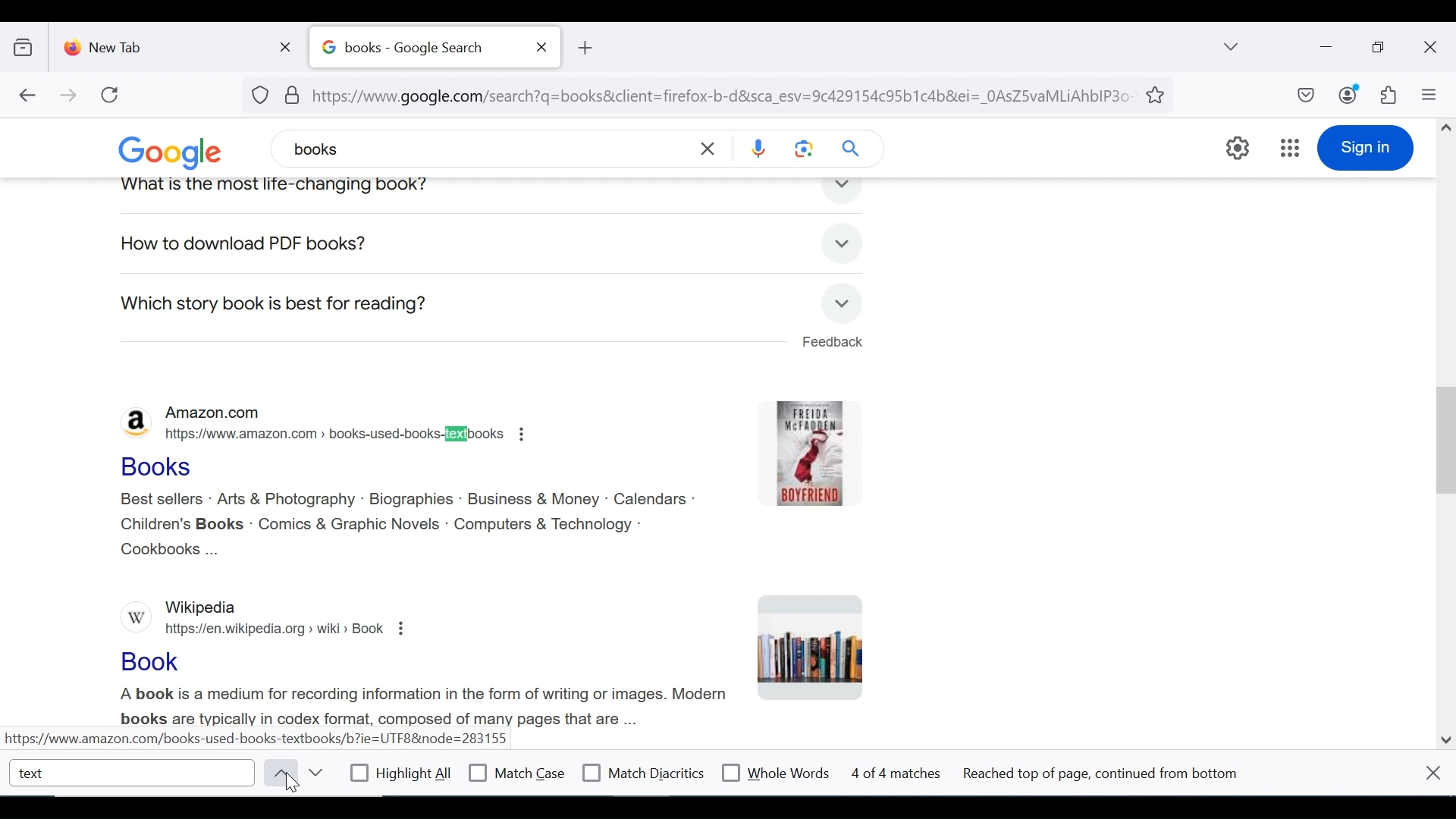  Describe the element at coordinates (27, 96) in the screenshot. I see `back` at that location.